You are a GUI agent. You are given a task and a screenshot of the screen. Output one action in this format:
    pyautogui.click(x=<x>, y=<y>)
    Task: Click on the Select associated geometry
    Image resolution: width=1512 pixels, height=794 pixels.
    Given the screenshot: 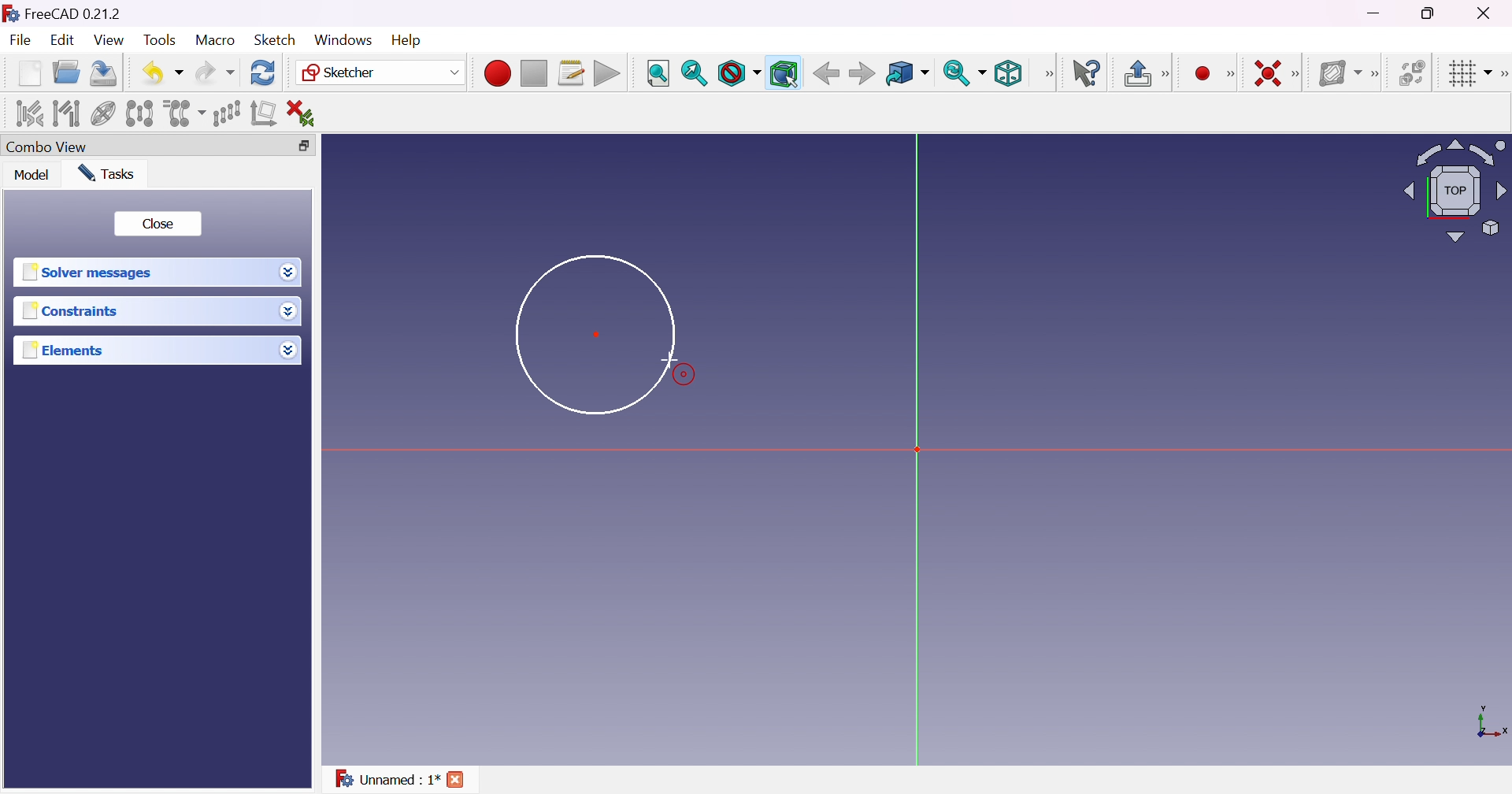 What is the action you would take?
    pyautogui.click(x=67, y=114)
    